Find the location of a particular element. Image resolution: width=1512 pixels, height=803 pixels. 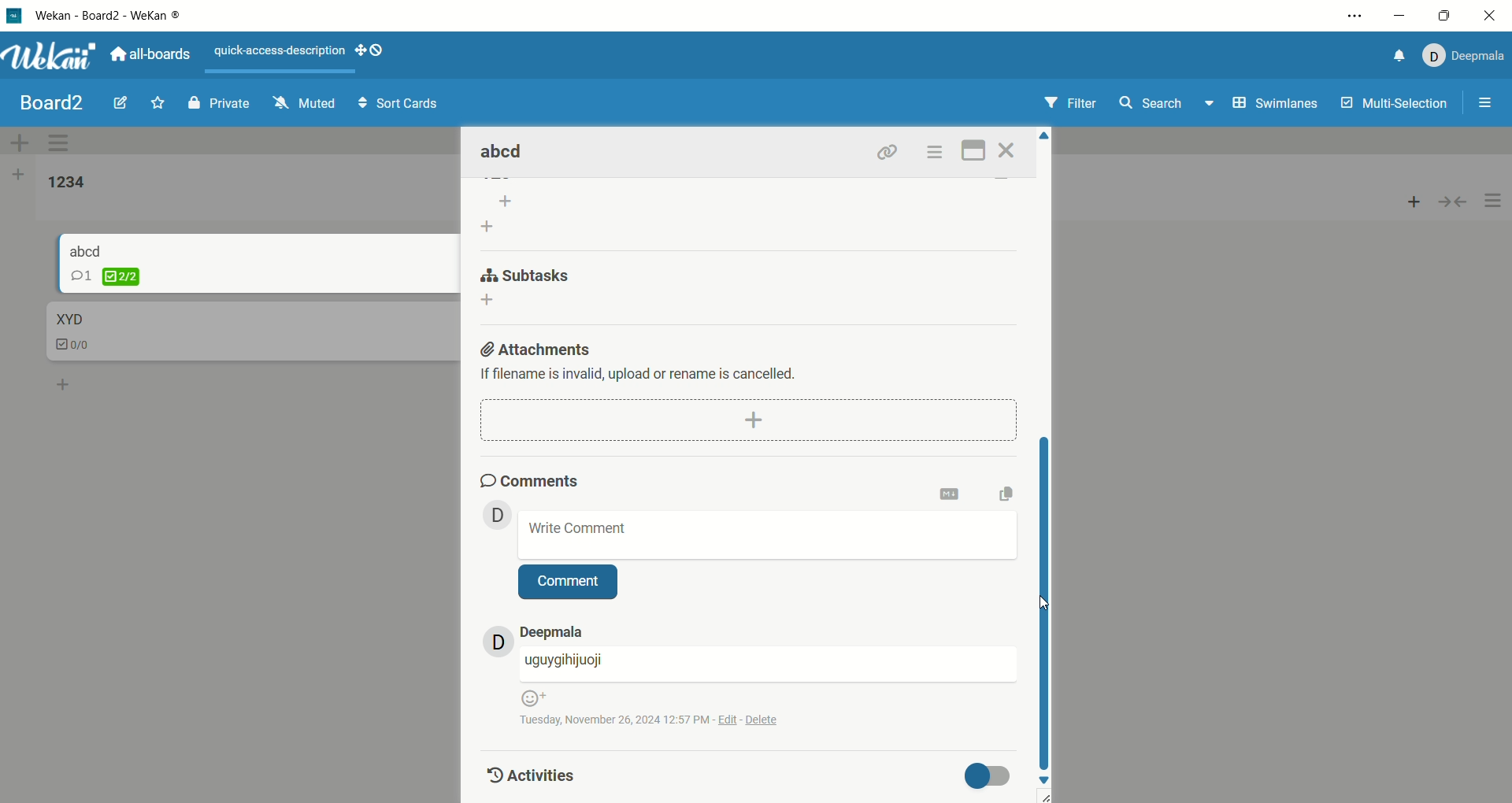

options is located at coordinates (1494, 202).